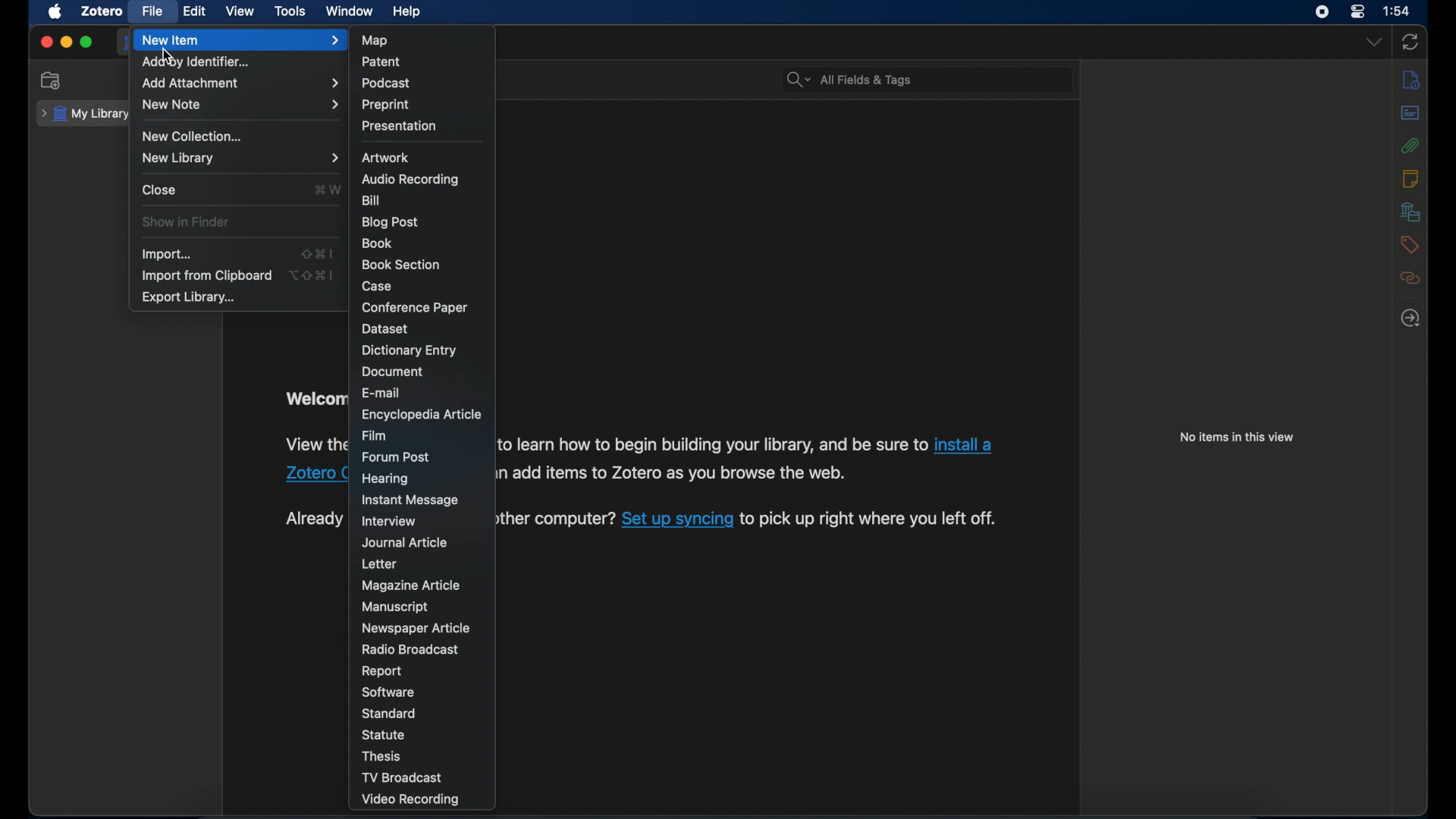  I want to click on dictionary entry, so click(409, 350).